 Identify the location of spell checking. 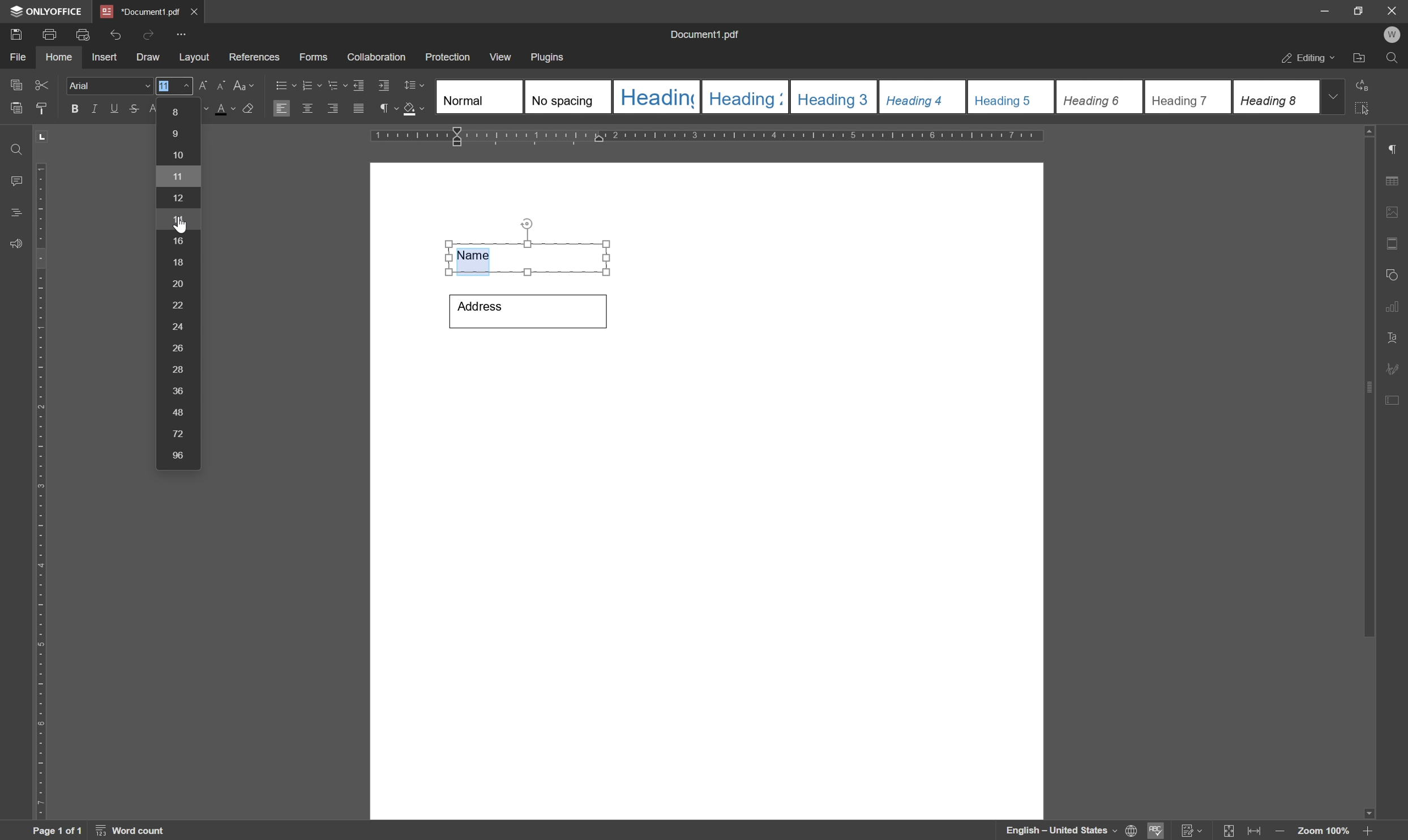
(1157, 830).